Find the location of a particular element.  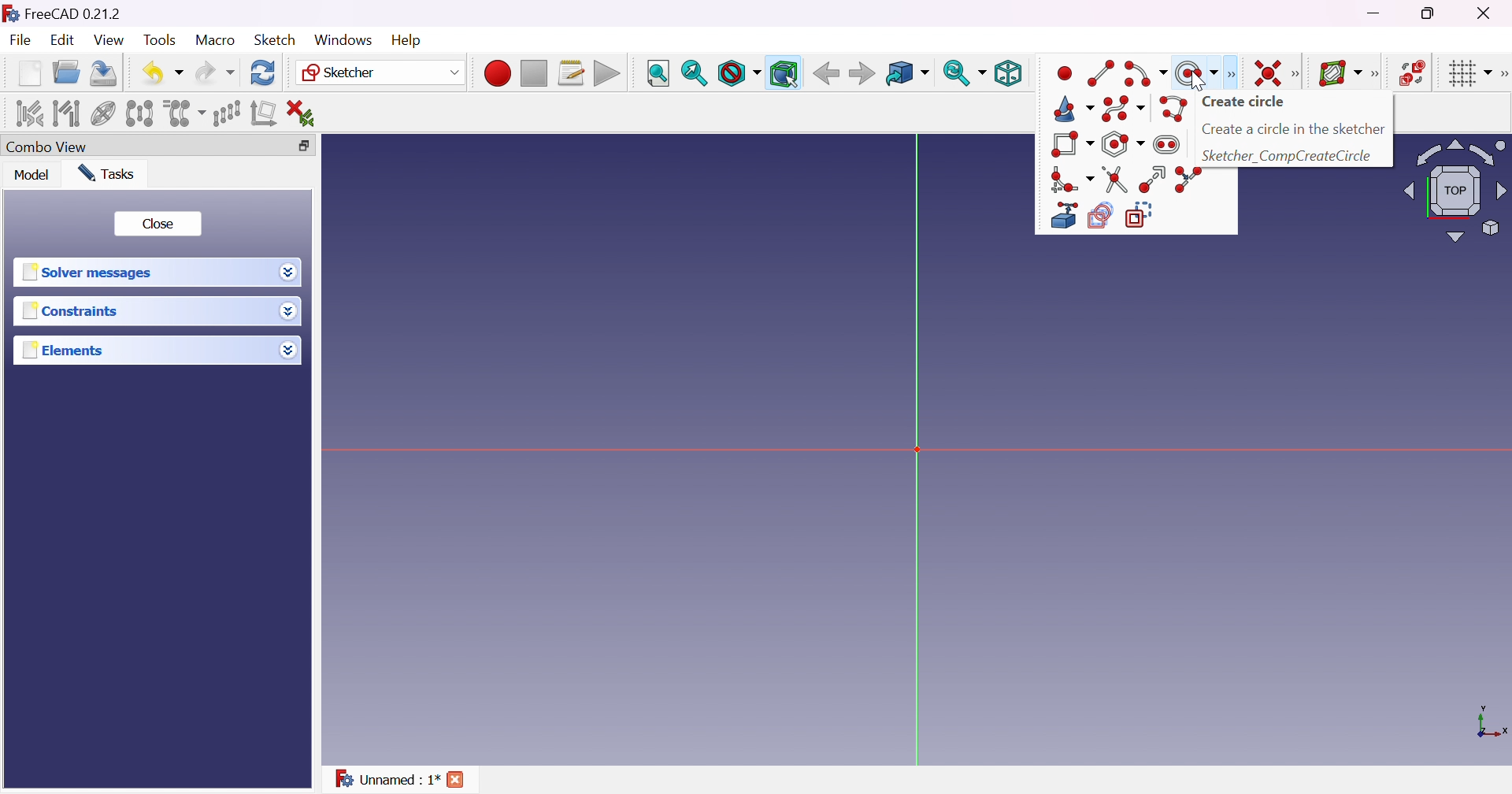

Restore down is located at coordinates (1429, 15).